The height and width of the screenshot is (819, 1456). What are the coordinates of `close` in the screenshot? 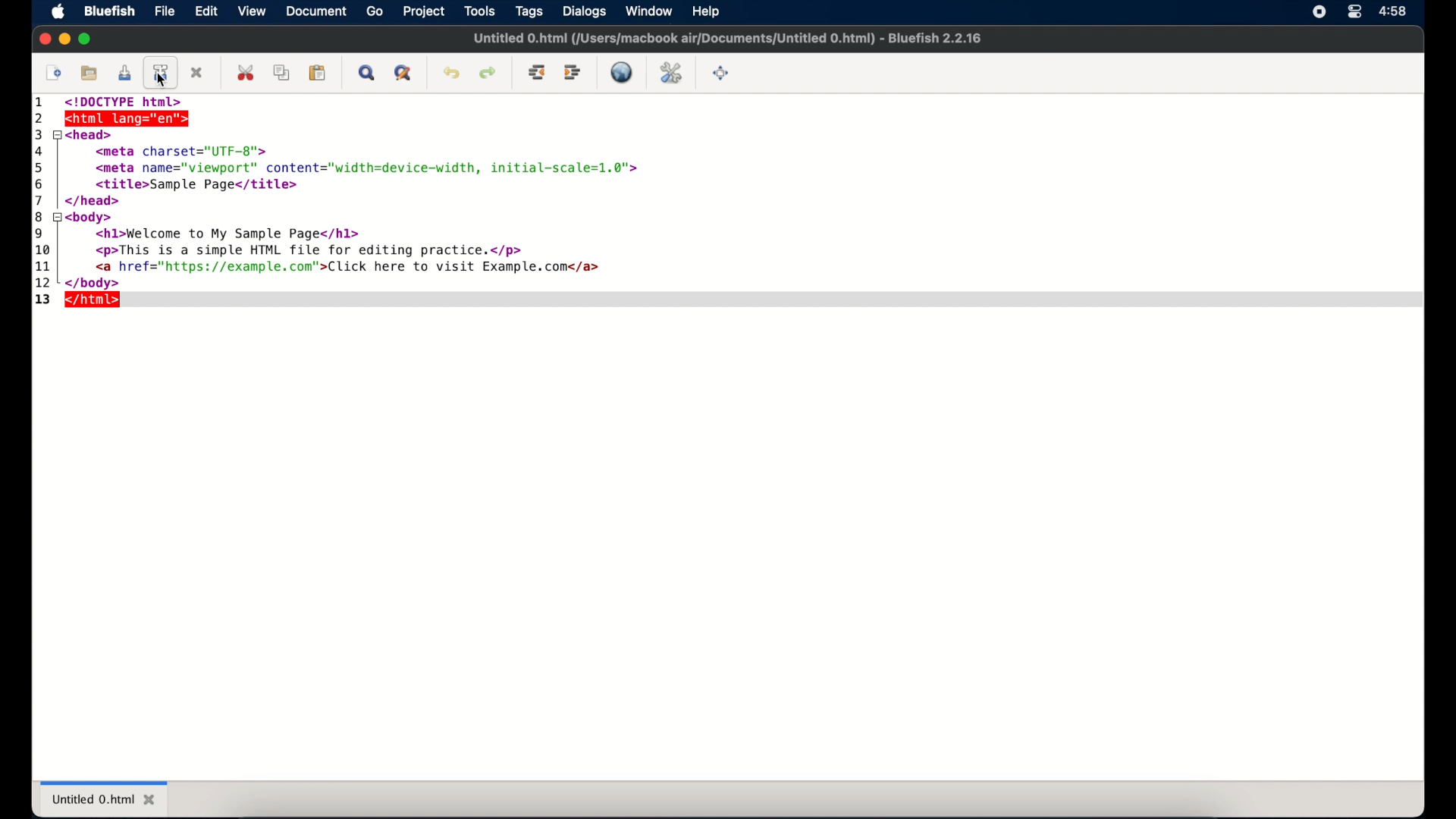 It's located at (198, 73).